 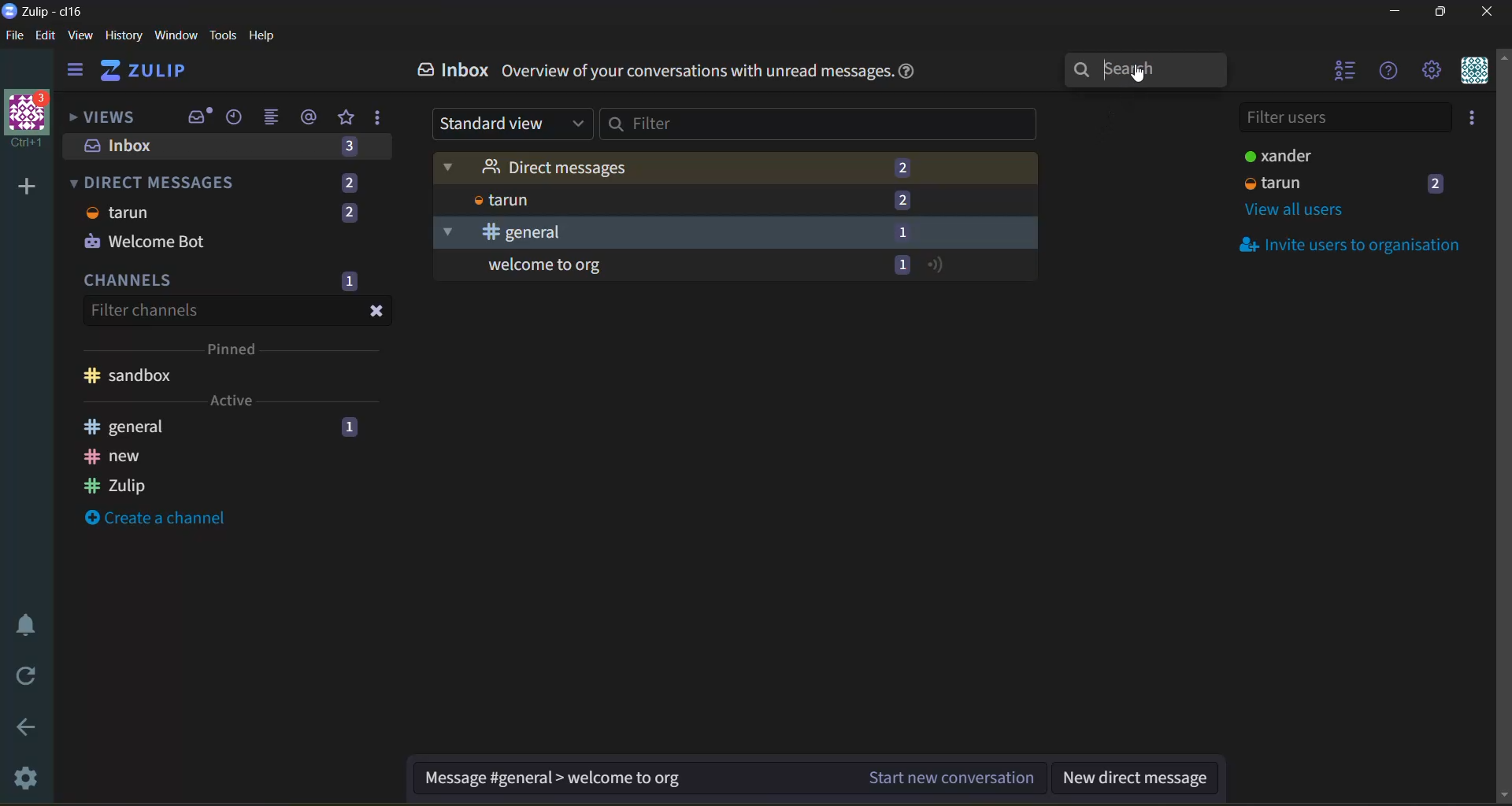 I want to click on settings, so click(x=1432, y=71).